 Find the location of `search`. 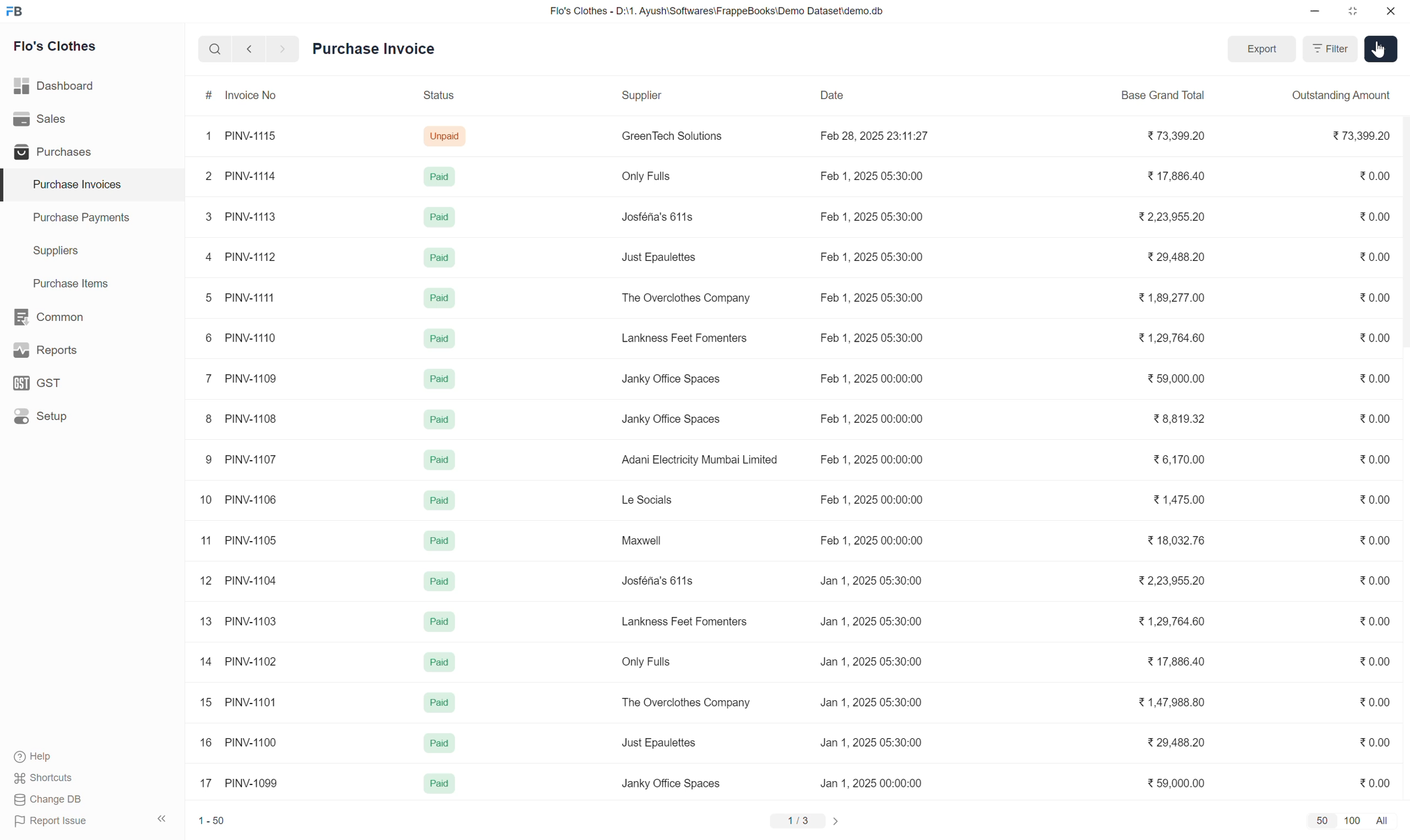

search is located at coordinates (213, 47).